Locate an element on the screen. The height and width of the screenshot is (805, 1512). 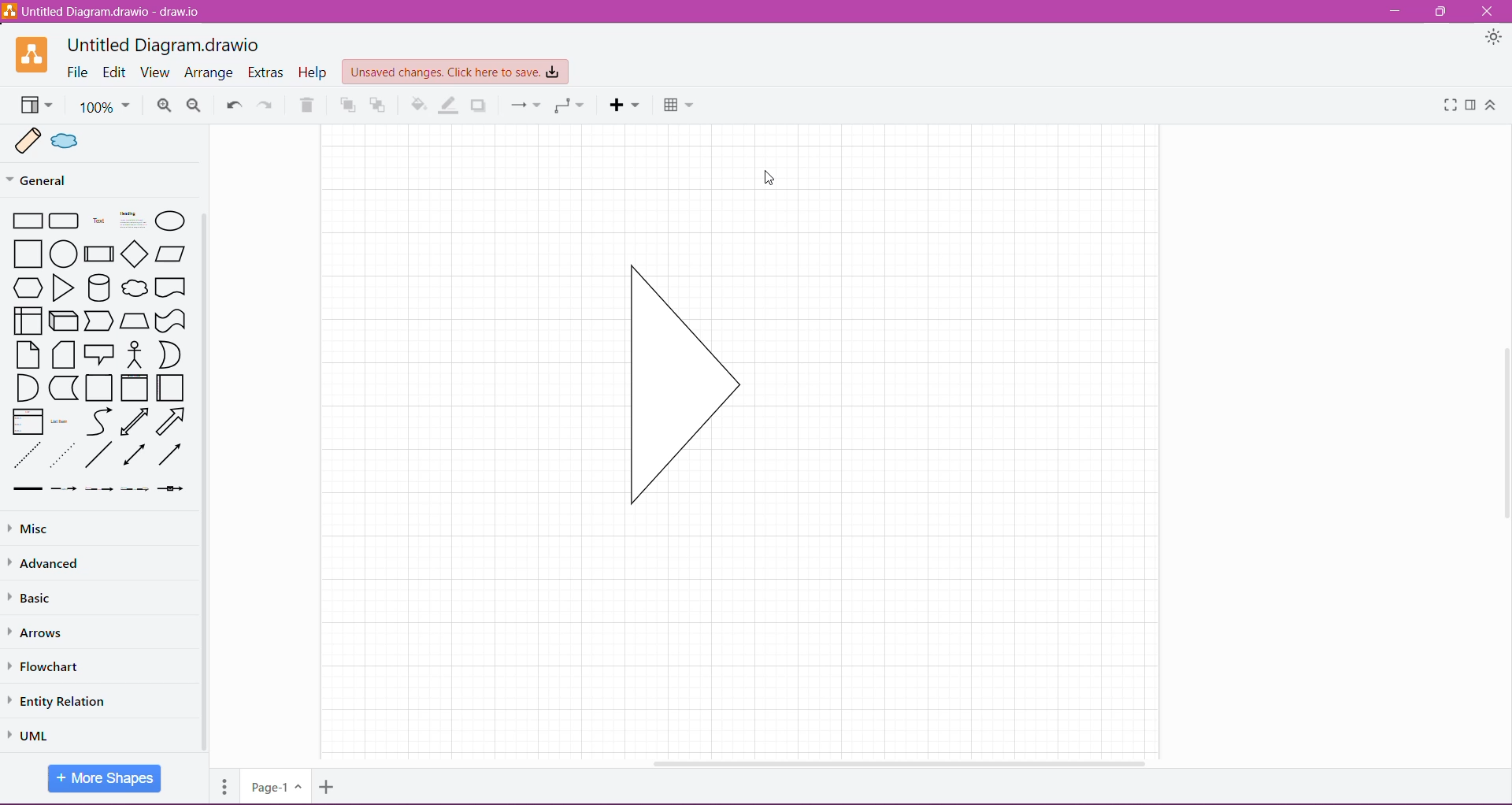
Untitled Diagram.draw.io - draw.io is located at coordinates (104, 11).